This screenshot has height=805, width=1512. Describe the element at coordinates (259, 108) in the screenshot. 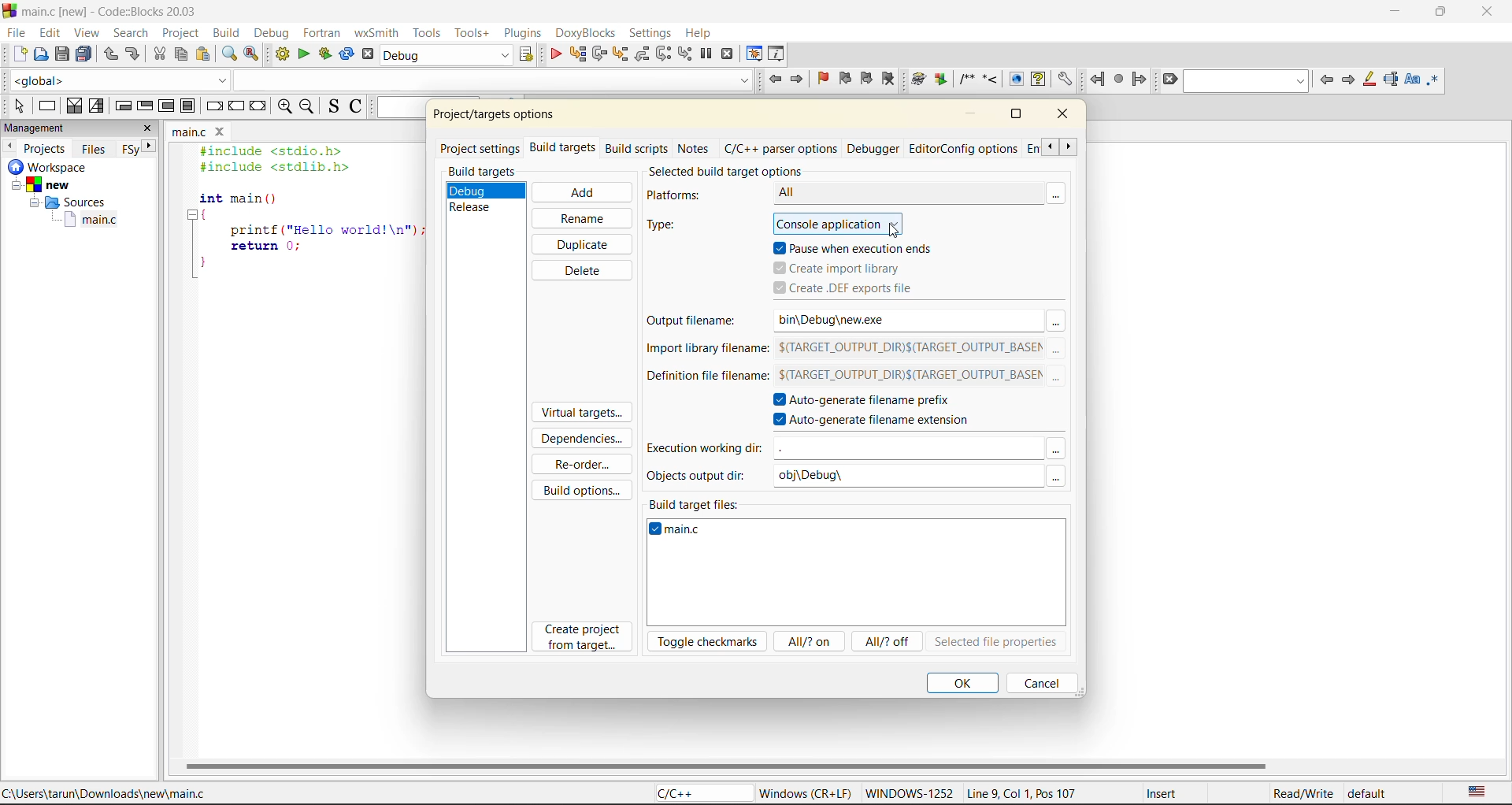

I see `return instruction` at that location.